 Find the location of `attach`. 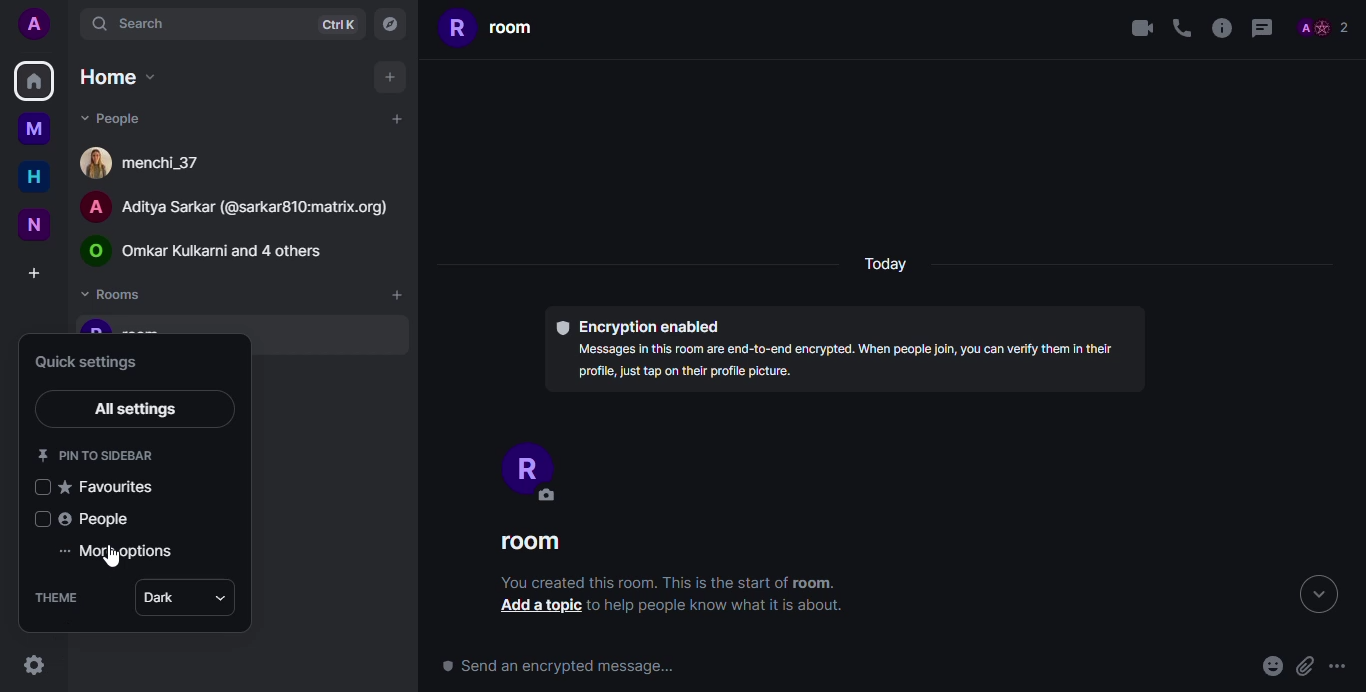

attach is located at coordinates (1307, 667).